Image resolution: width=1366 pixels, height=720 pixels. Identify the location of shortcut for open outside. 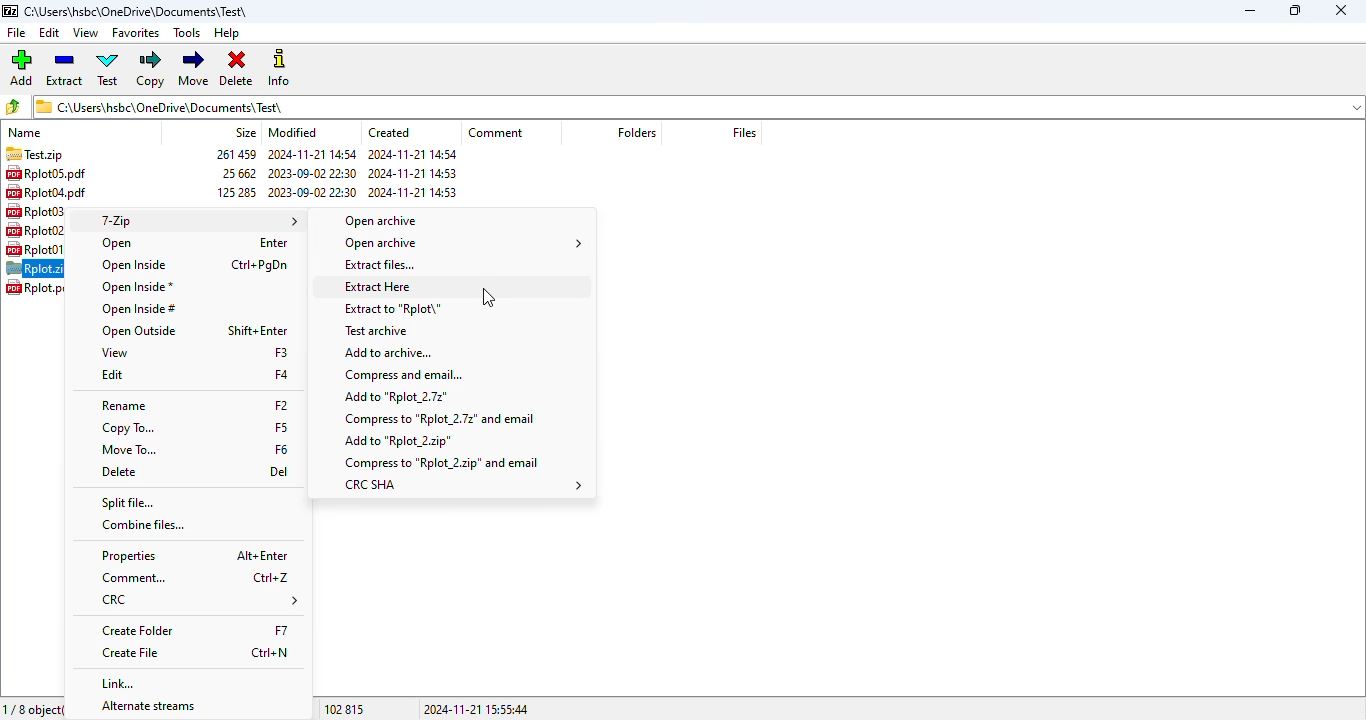
(258, 329).